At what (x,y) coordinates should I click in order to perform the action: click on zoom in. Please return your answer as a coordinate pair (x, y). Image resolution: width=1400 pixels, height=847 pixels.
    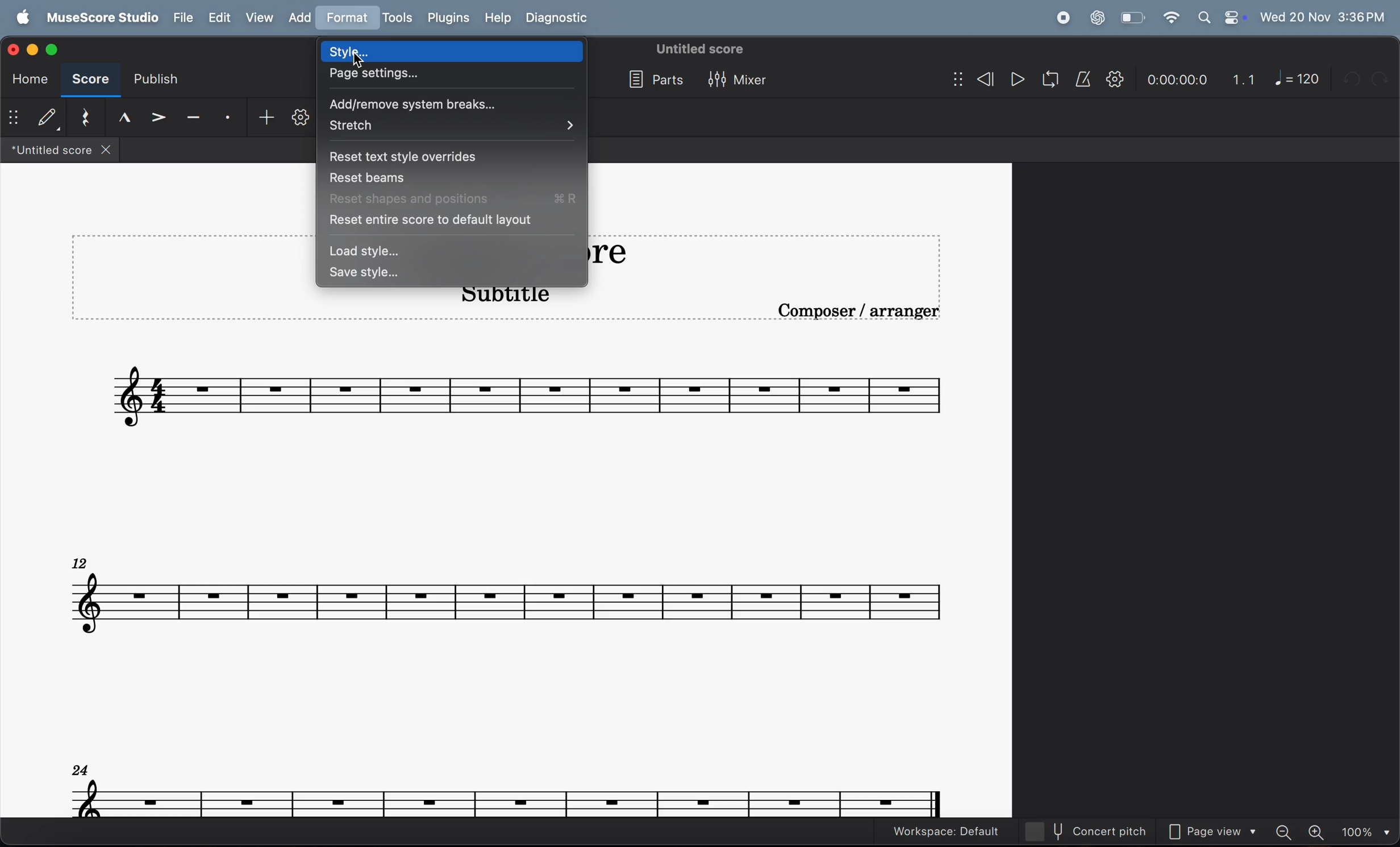
    Looking at the image, I should click on (1318, 832).